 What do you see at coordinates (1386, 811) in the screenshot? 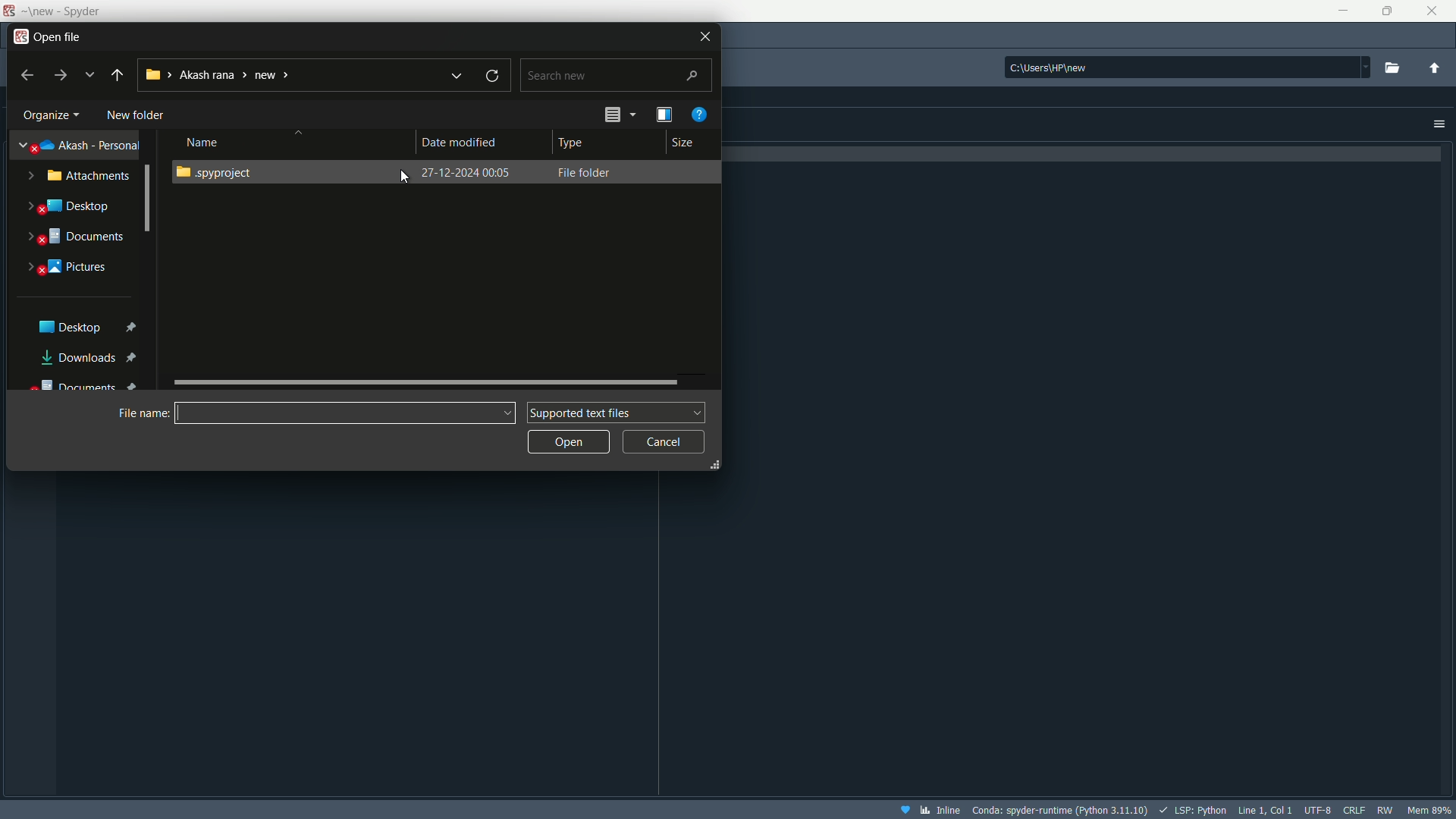
I see `rw` at bounding box center [1386, 811].